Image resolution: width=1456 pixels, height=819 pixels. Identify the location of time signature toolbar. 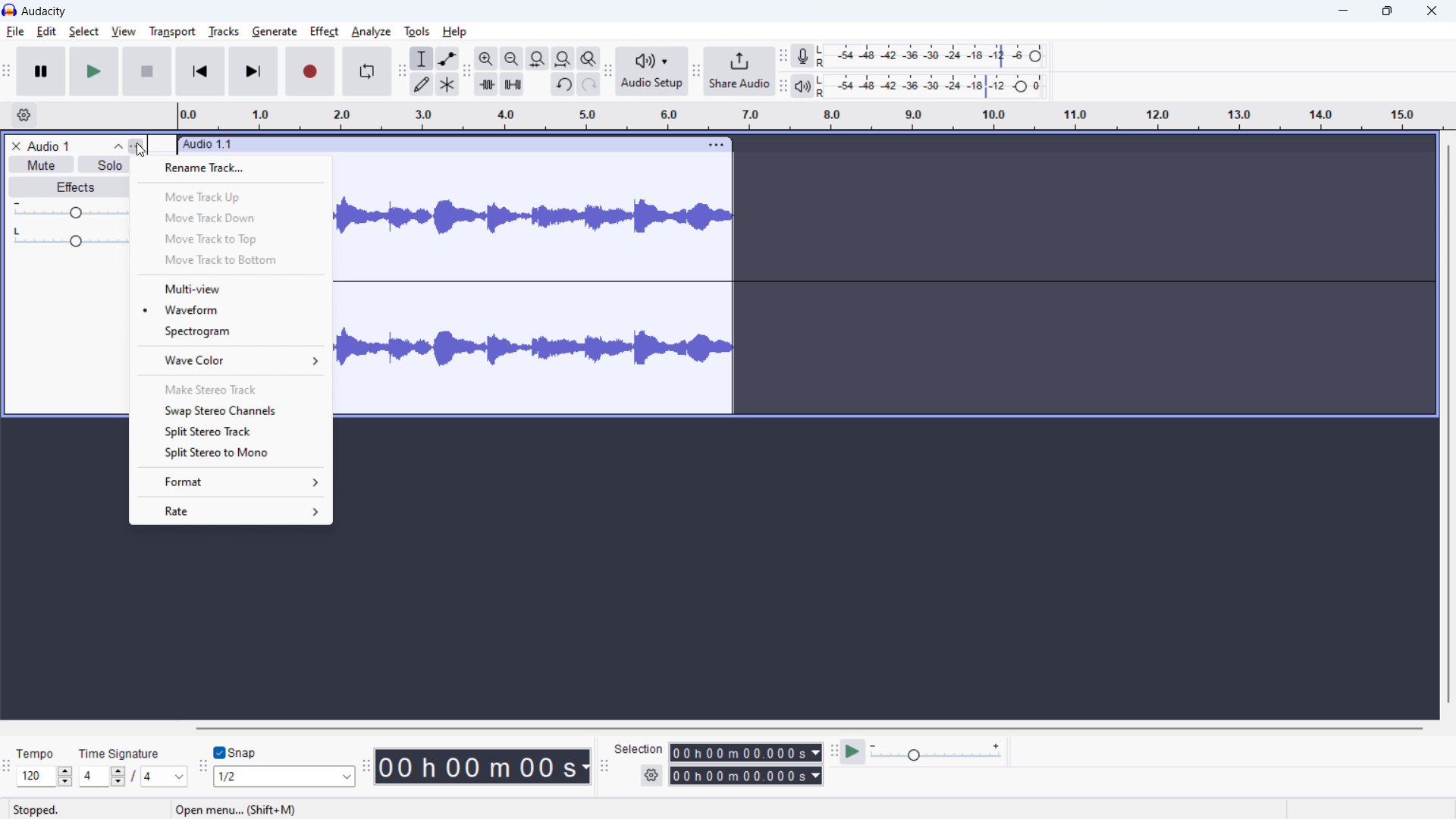
(8, 767).